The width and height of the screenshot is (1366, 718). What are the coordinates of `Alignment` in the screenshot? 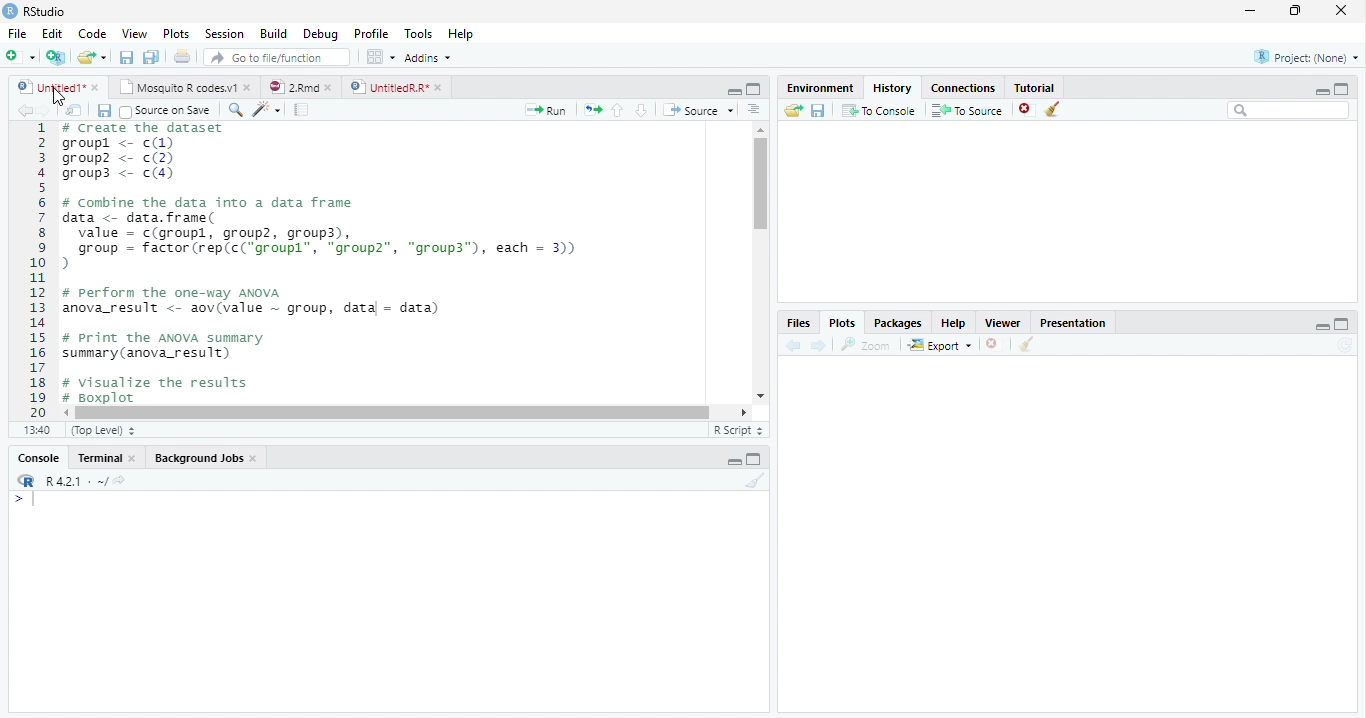 It's located at (753, 111).